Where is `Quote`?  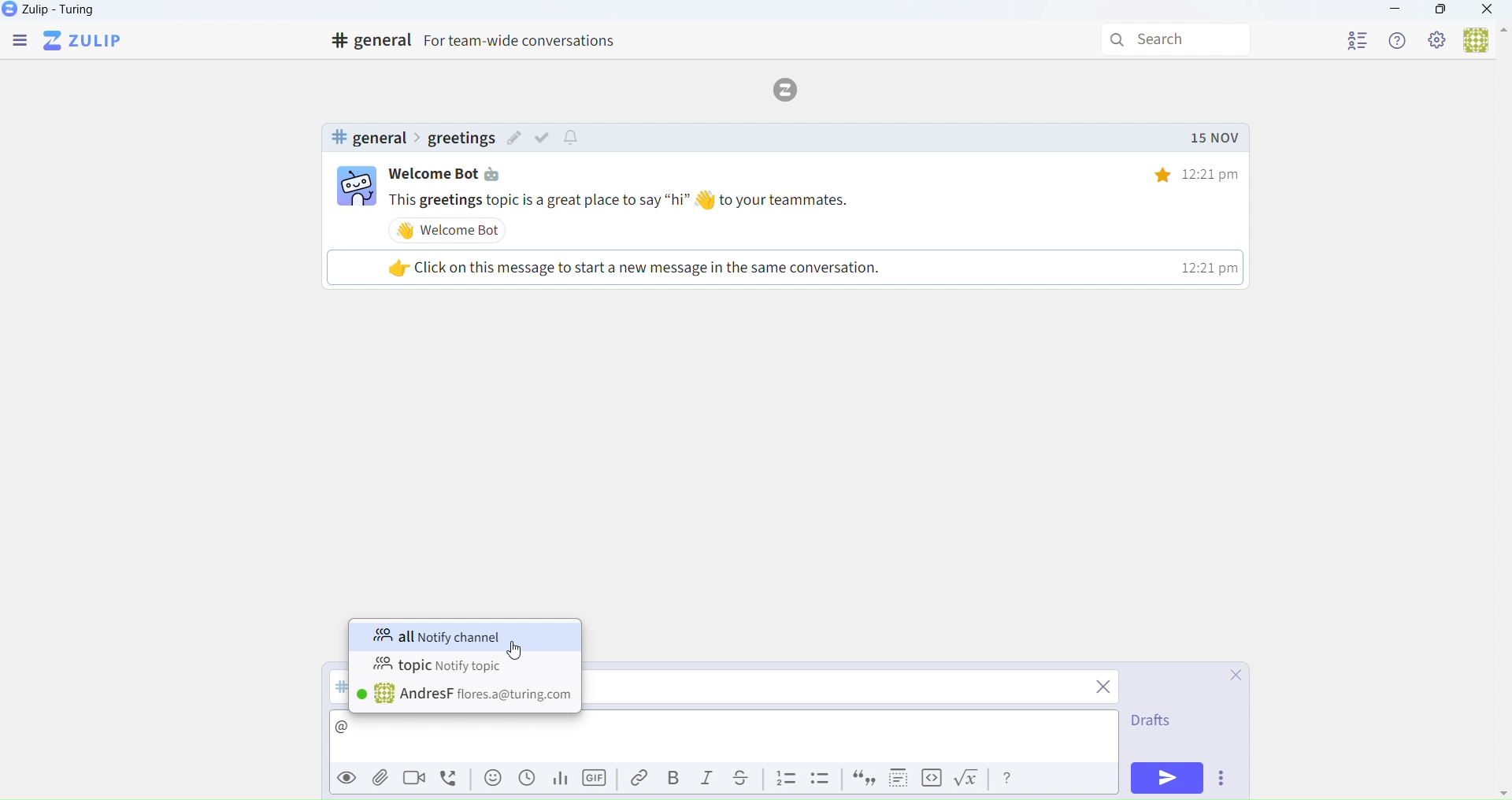 Quote is located at coordinates (862, 780).